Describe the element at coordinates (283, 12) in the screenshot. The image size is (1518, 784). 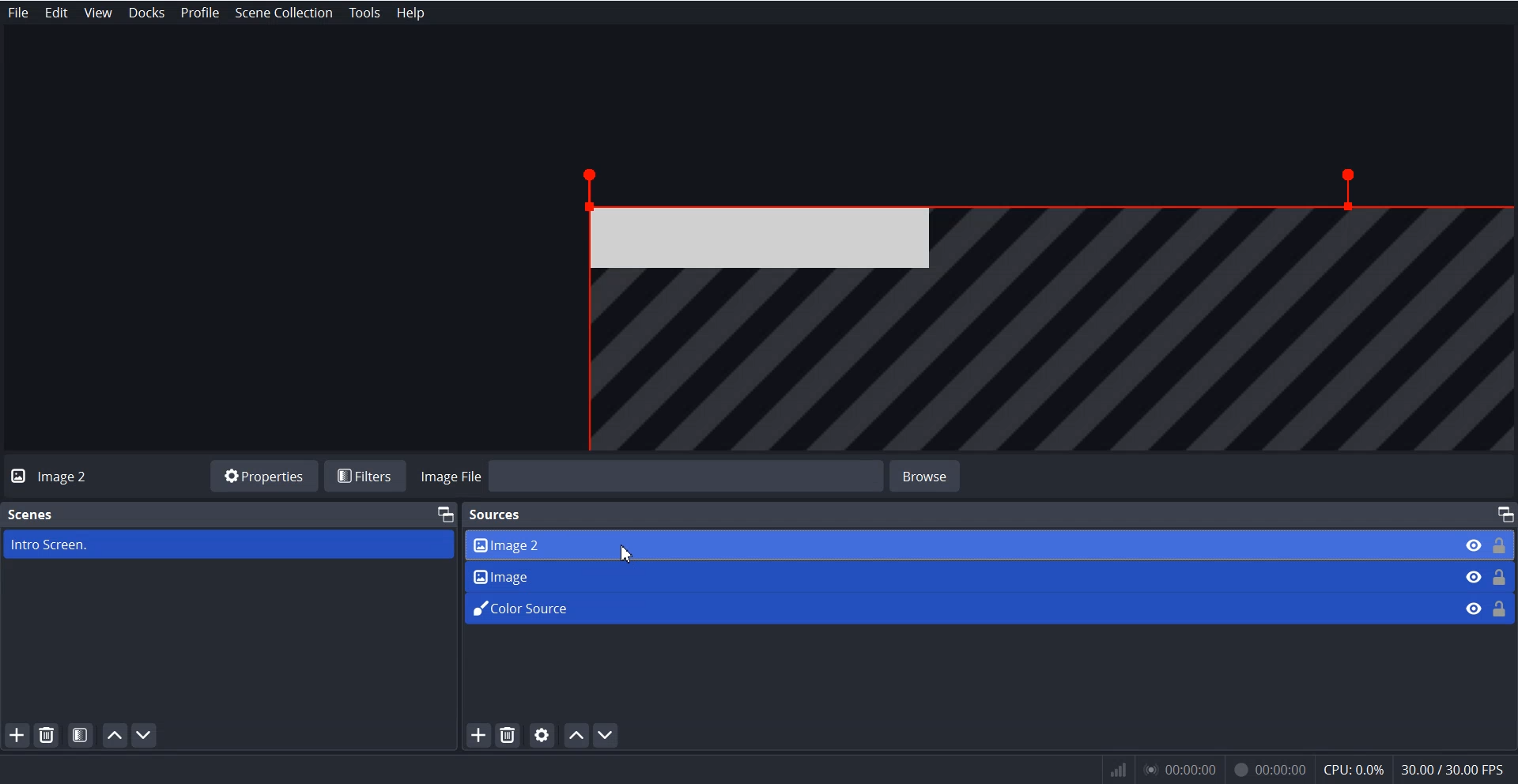
I see `Scene Collection` at that location.